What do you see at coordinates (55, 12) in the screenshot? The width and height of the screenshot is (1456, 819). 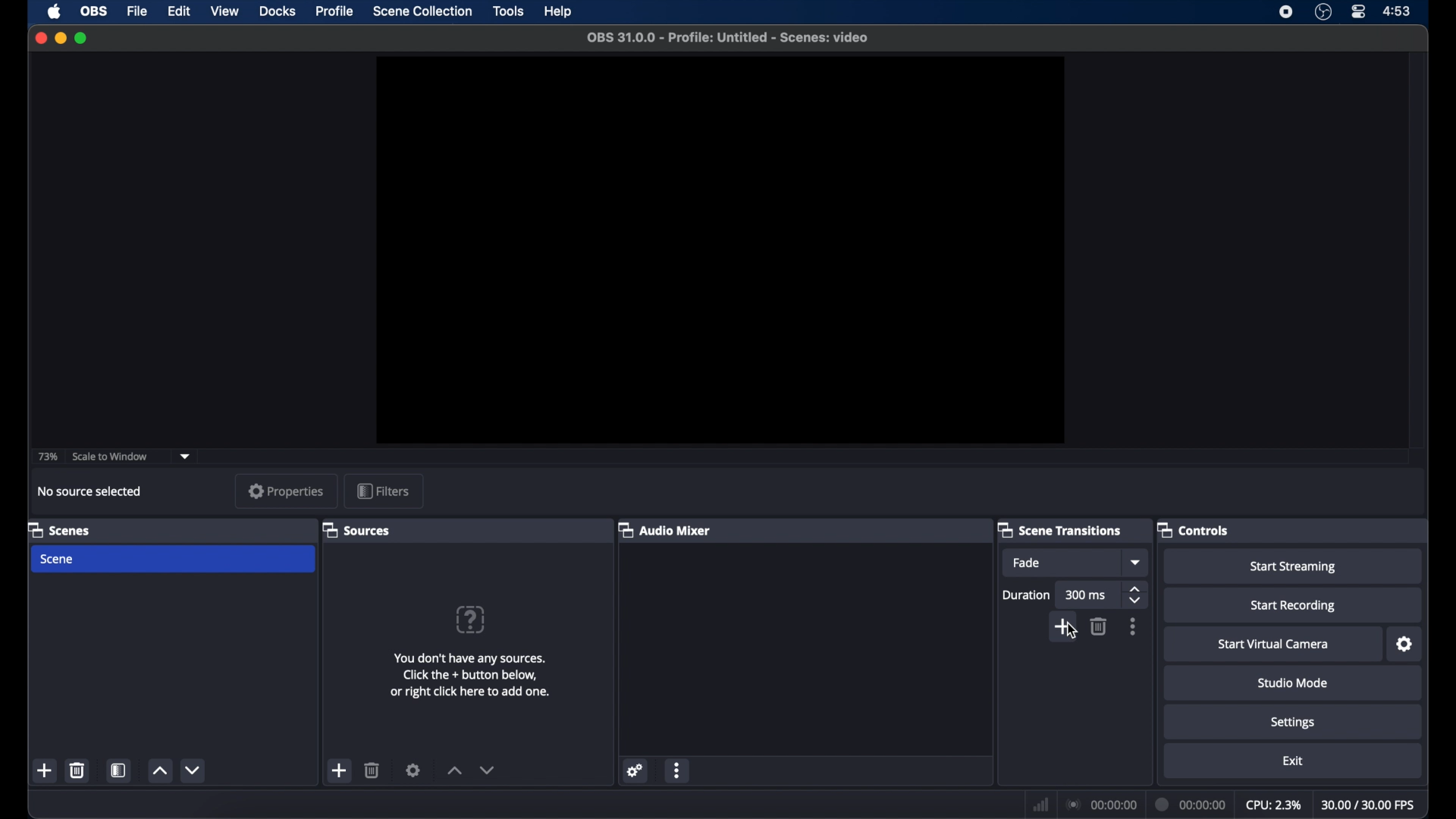 I see `apple icon` at bounding box center [55, 12].